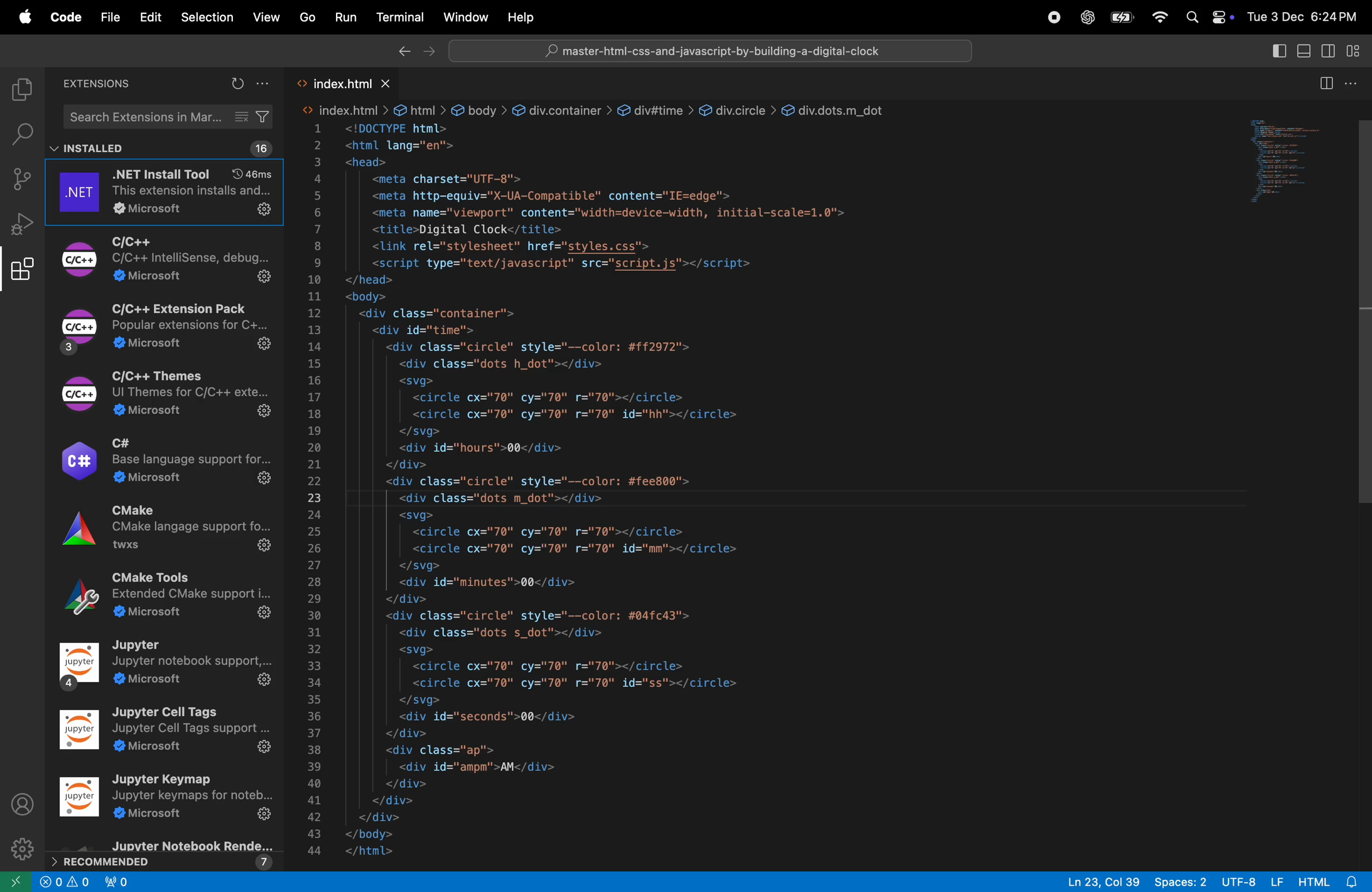  Describe the element at coordinates (167, 463) in the screenshot. I see `Extension C#` at that location.